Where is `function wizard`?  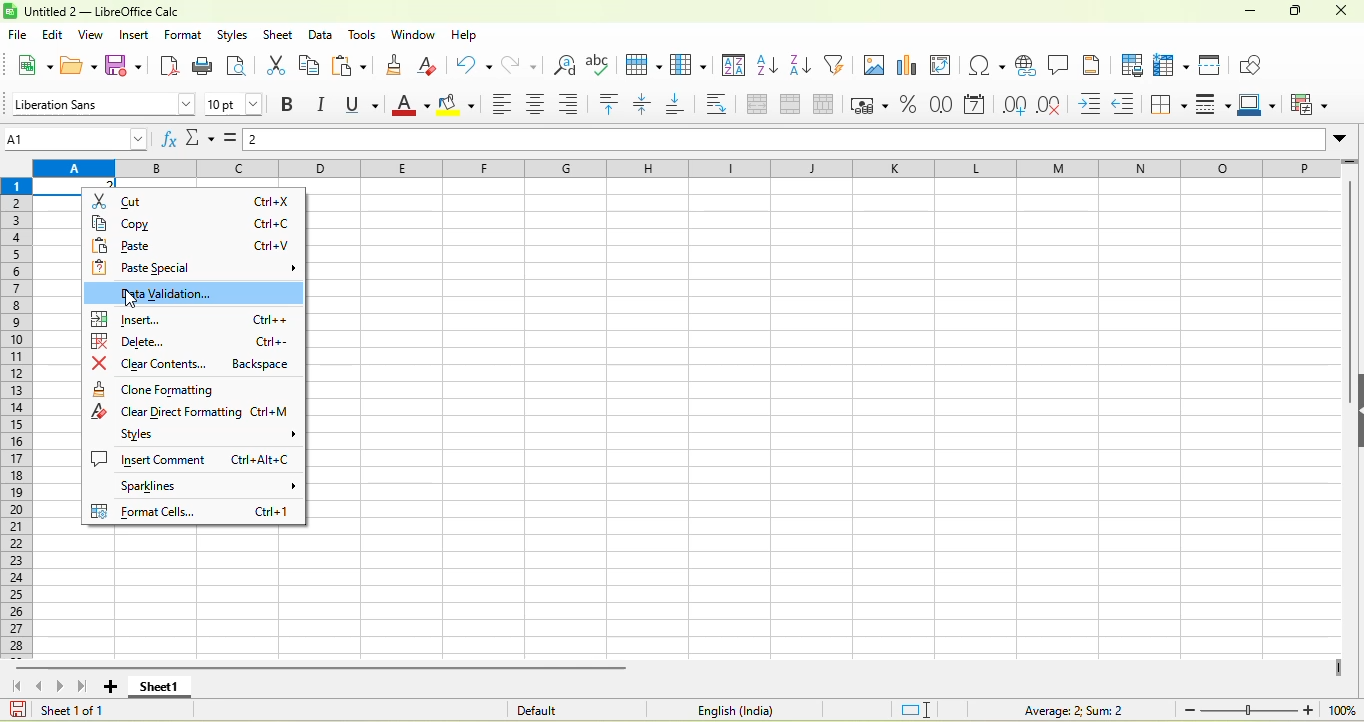 function wizard is located at coordinates (169, 139).